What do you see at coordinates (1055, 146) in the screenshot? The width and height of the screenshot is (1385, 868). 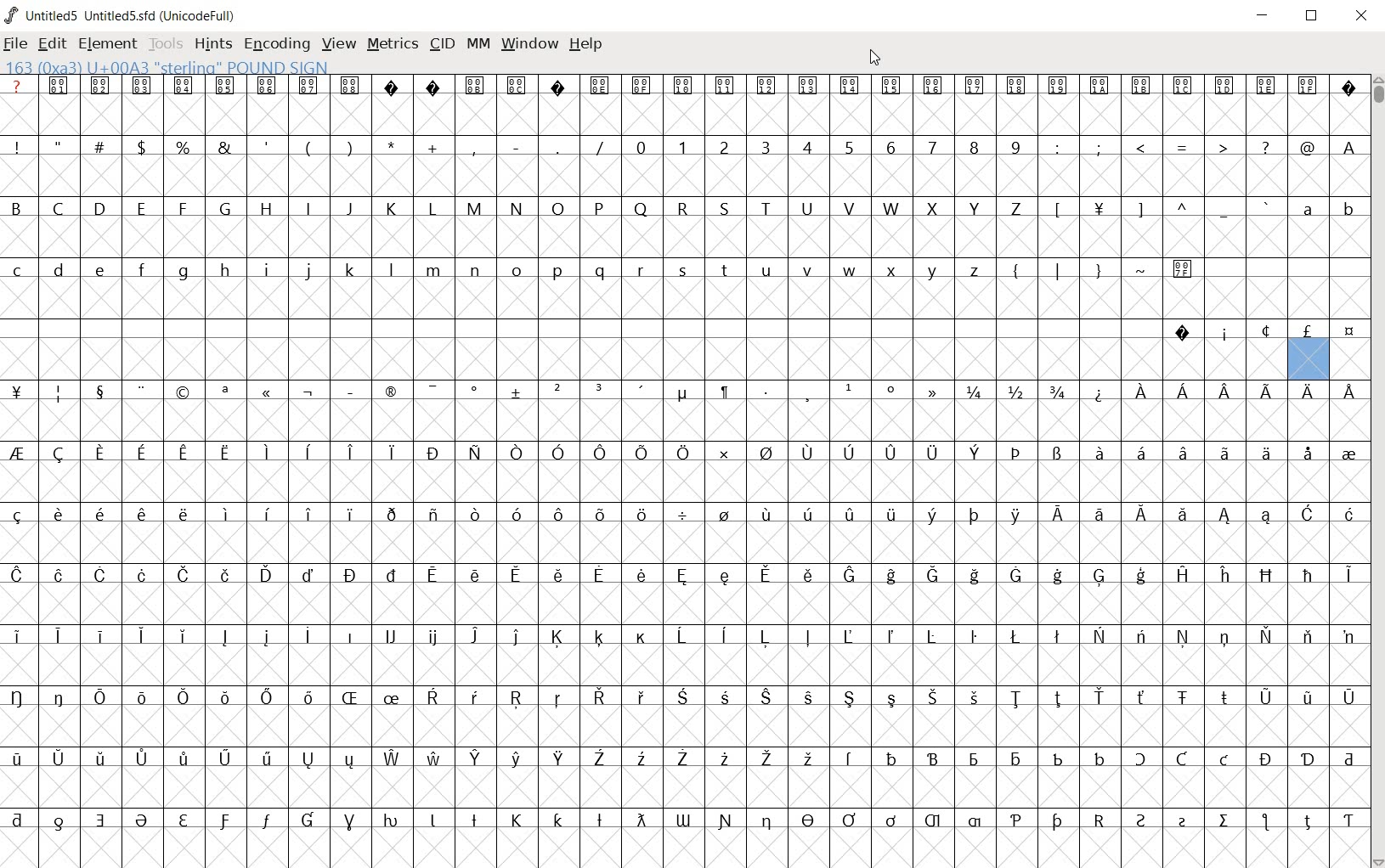 I see `:` at bounding box center [1055, 146].